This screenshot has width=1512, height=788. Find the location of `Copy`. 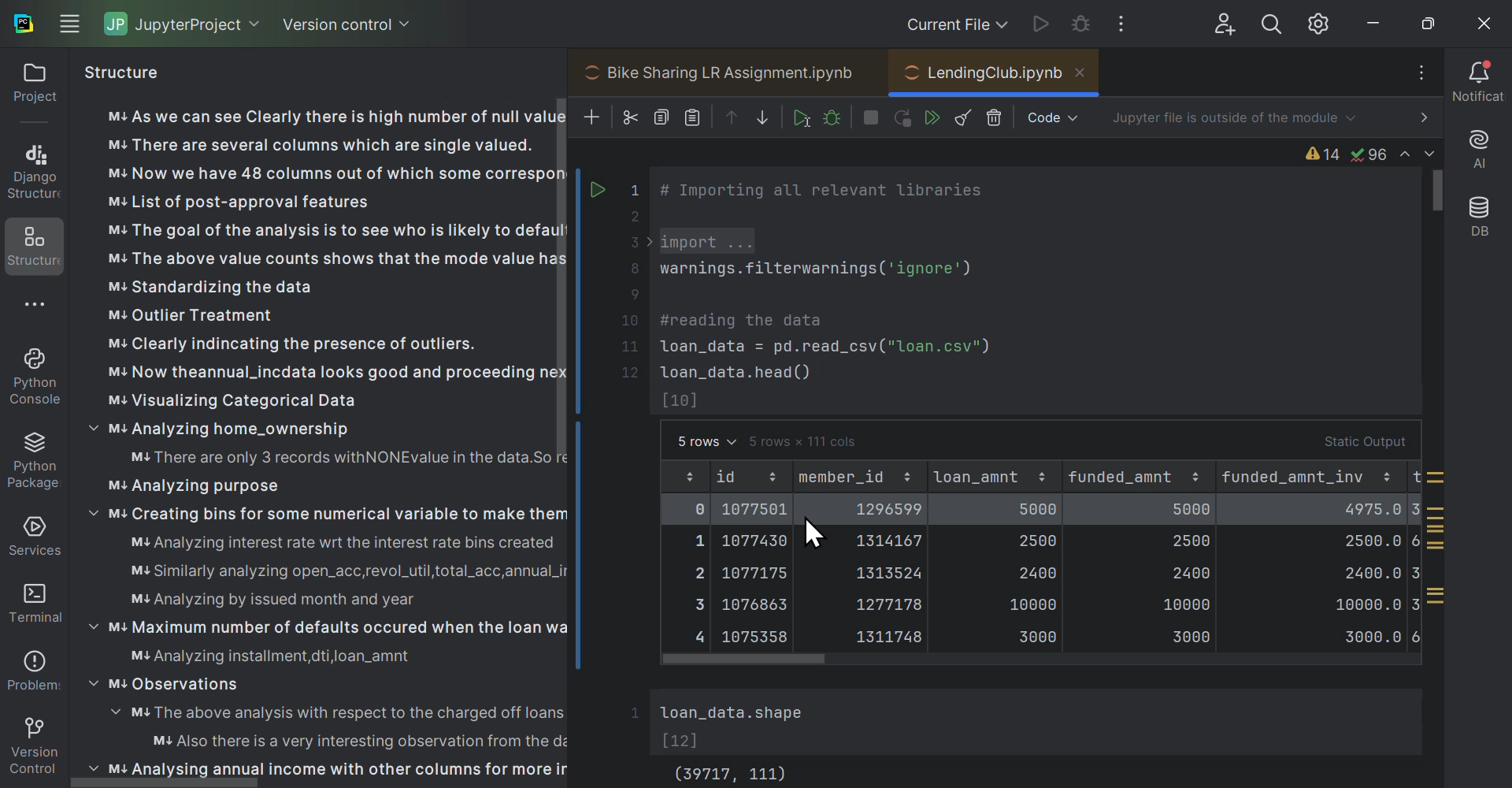

Copy is located at coordinates (662, 119).